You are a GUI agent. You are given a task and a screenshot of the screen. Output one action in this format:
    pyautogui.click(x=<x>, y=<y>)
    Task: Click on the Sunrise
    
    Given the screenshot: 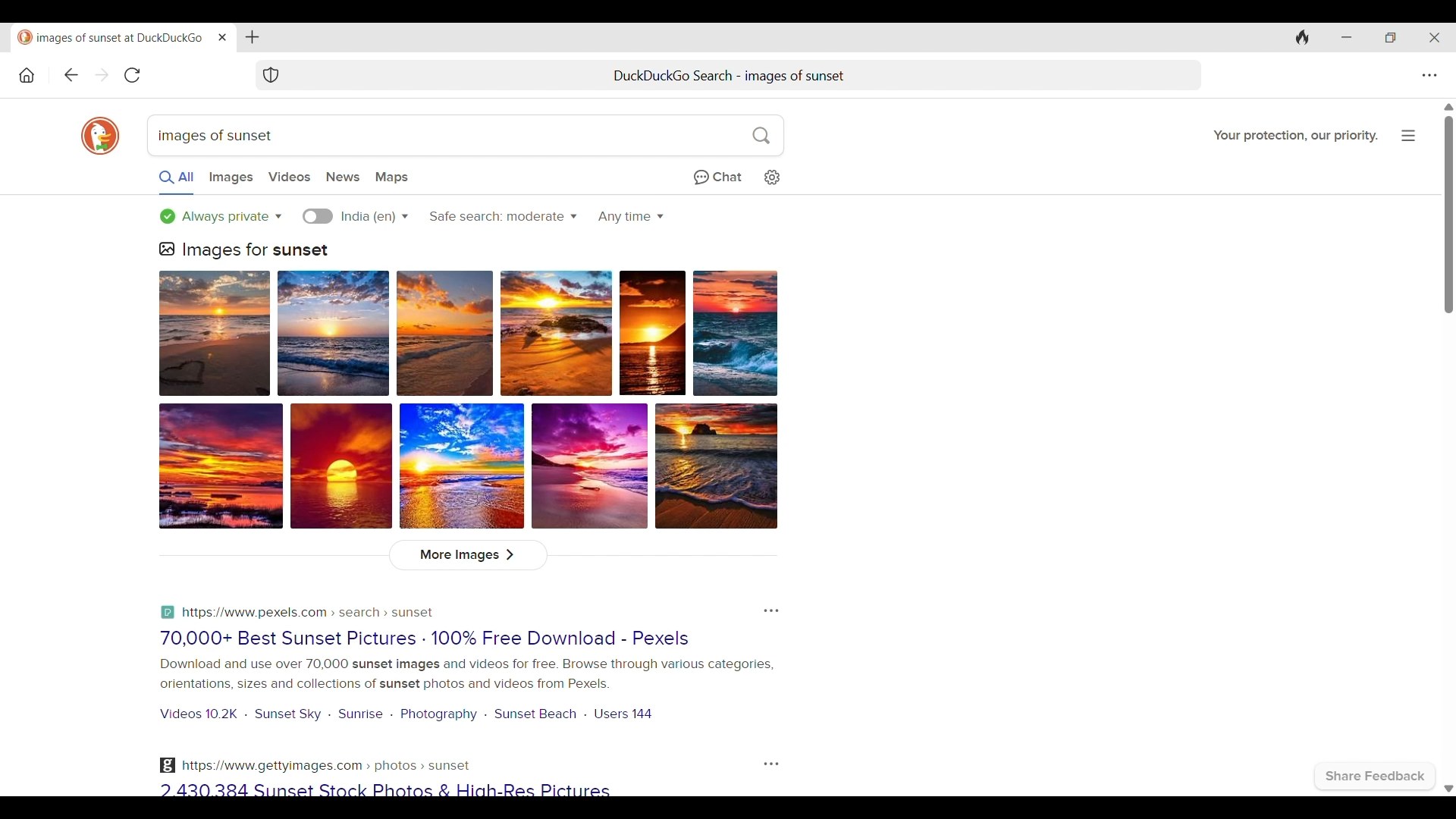 What is the action you would take?
    pyautogui.click(x=362, y=714)
    